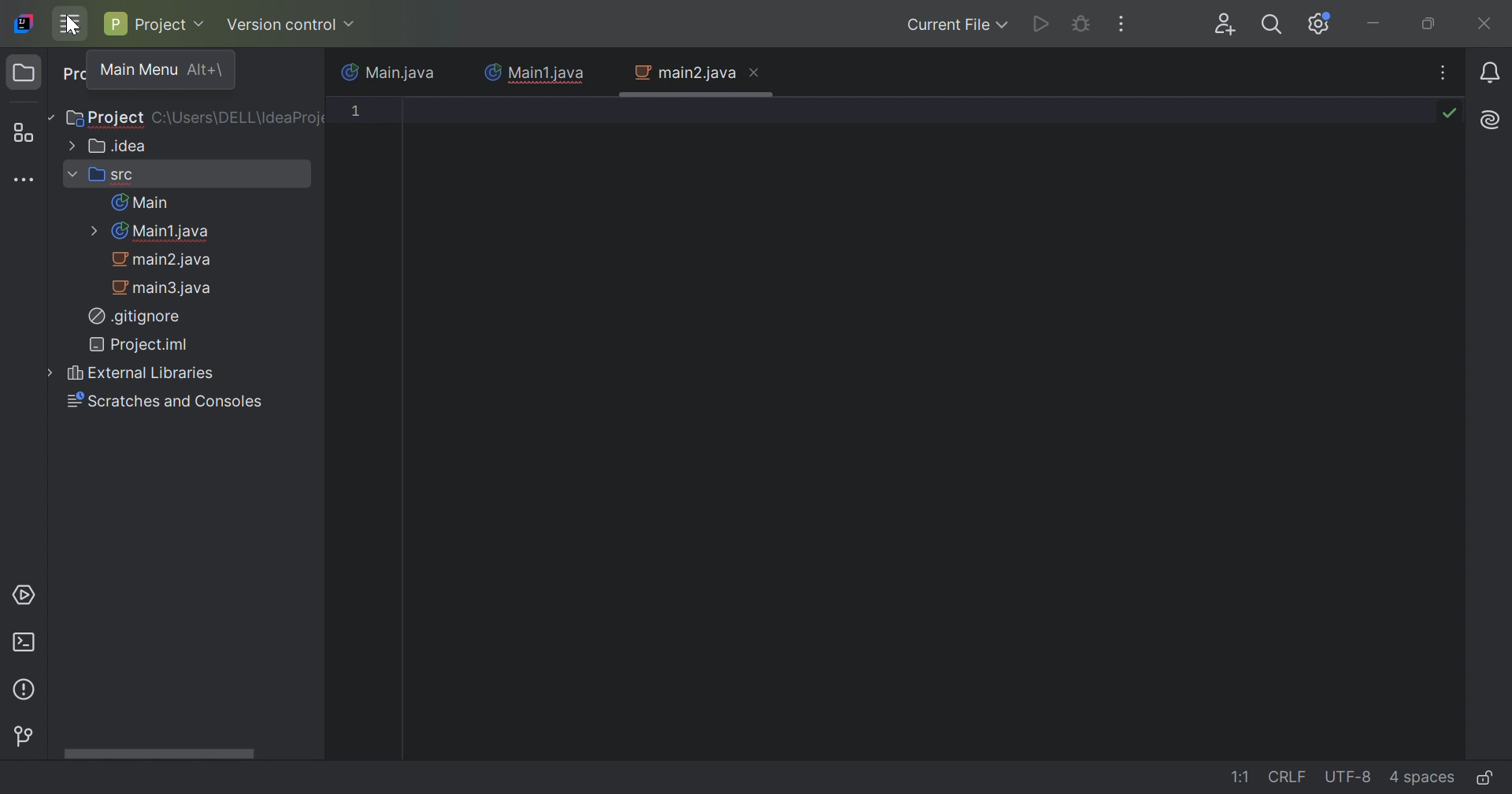 The width and height of the screenshot is (1512, 794). I want to click on .gitignore, so click(136, 318).